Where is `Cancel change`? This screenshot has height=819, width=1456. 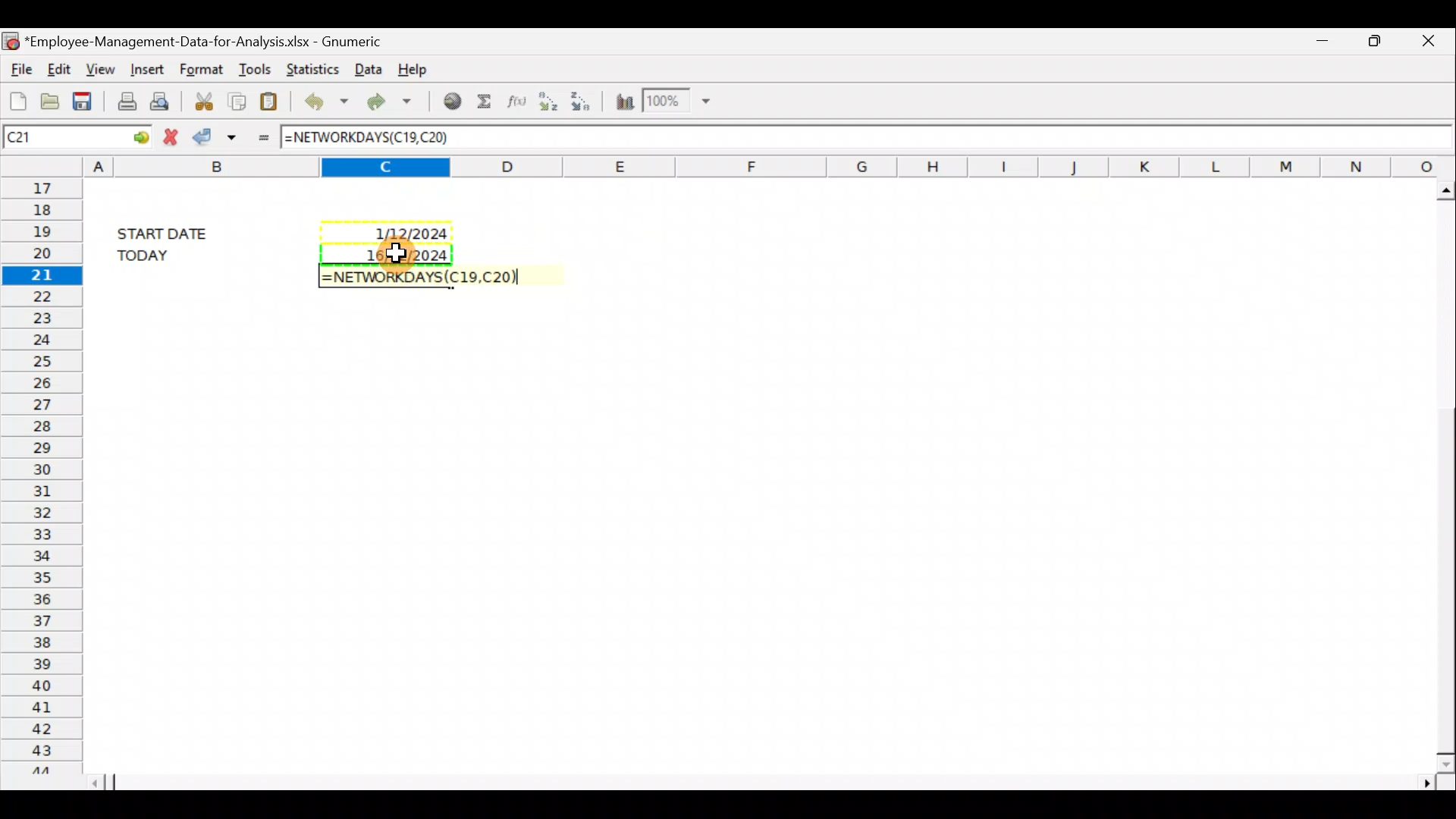 Cancel change is located at coordinates (169, 136).